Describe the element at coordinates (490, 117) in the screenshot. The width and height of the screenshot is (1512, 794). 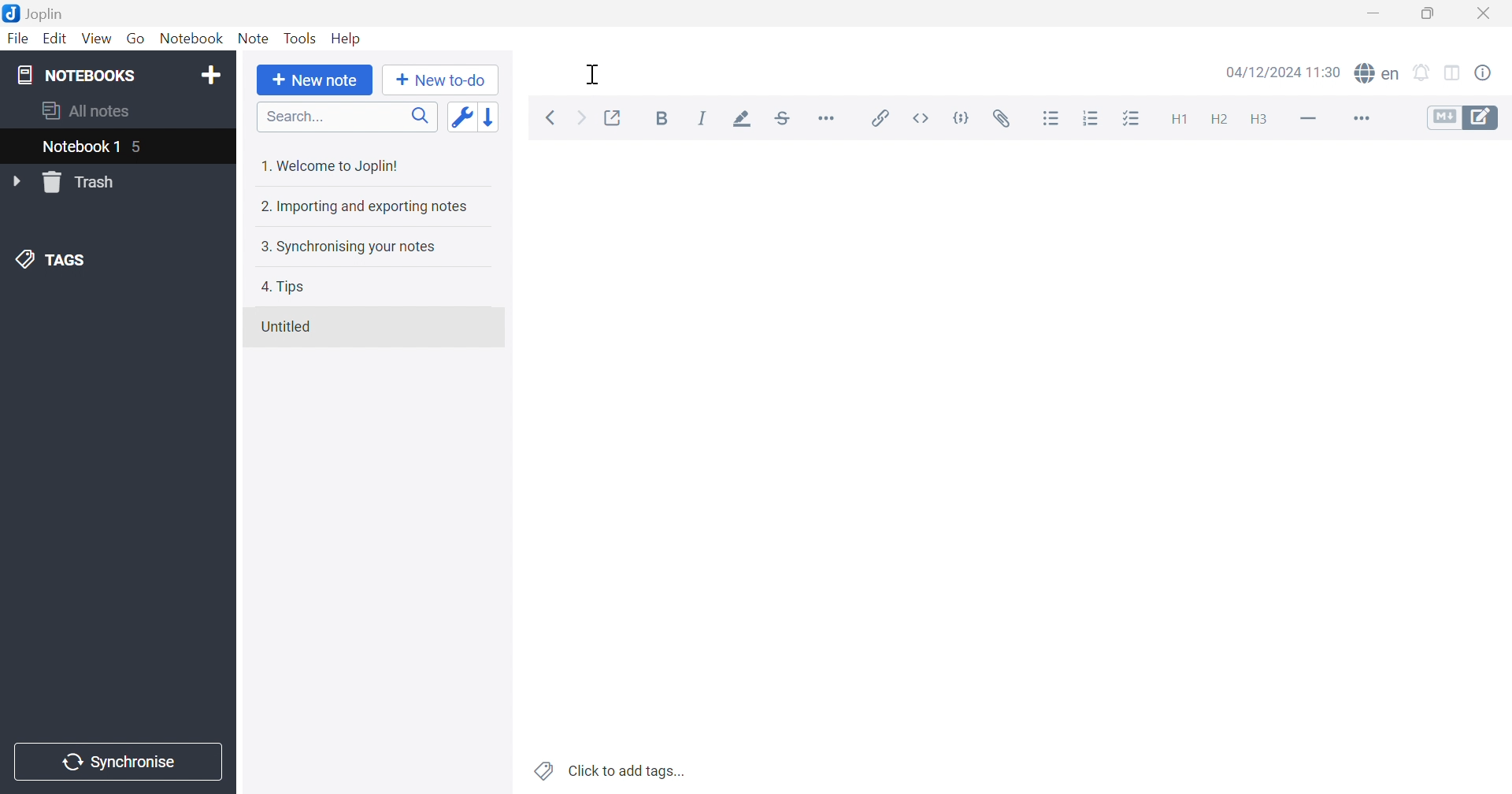
I see `Reverse sort order` at that location.